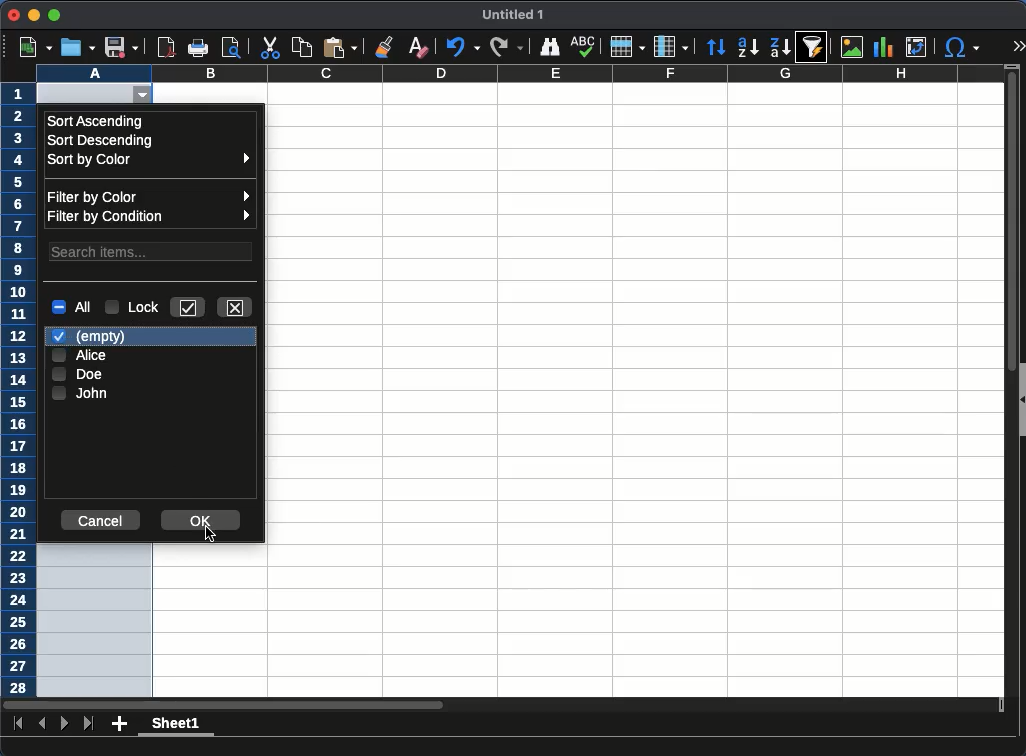 The image size is (1026, 756). What do you see at coordinates (82, 355) in the screenshot?
I see `Alice` at bounding box center [82, 355].